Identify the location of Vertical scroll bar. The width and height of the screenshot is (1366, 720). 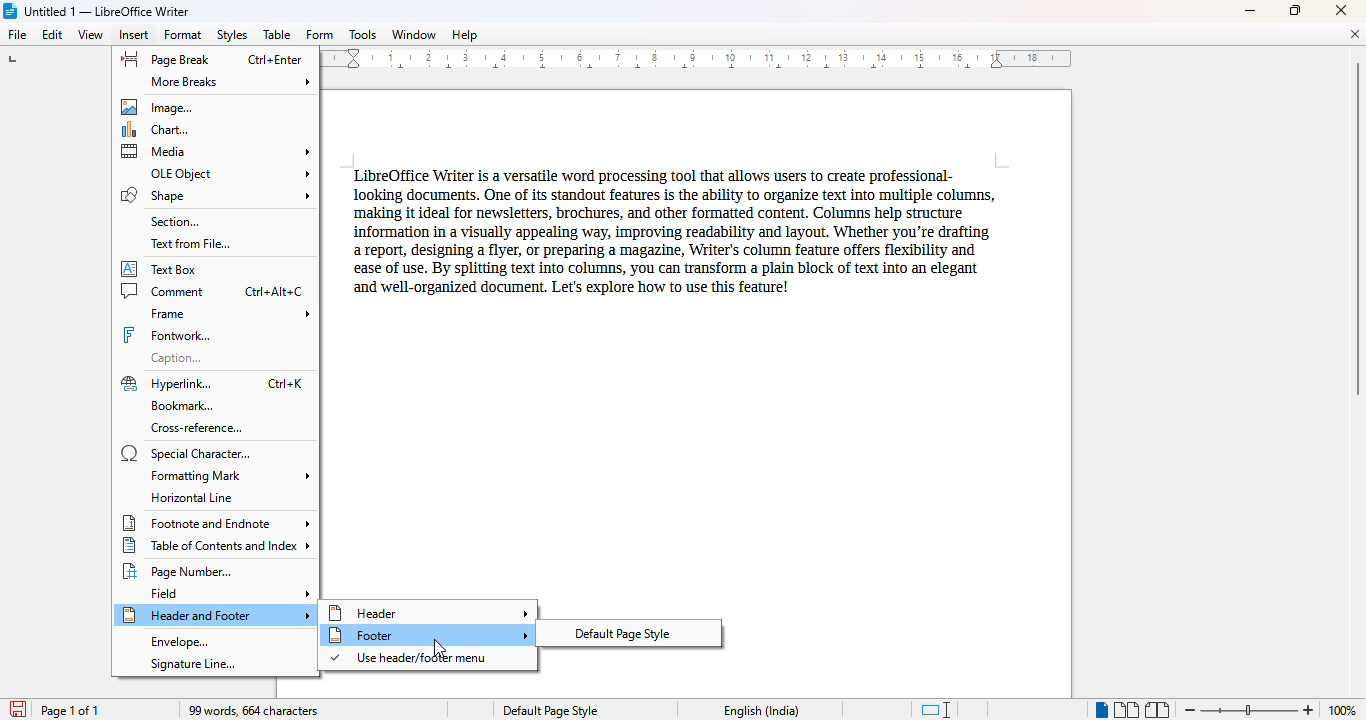
(1357, 229).